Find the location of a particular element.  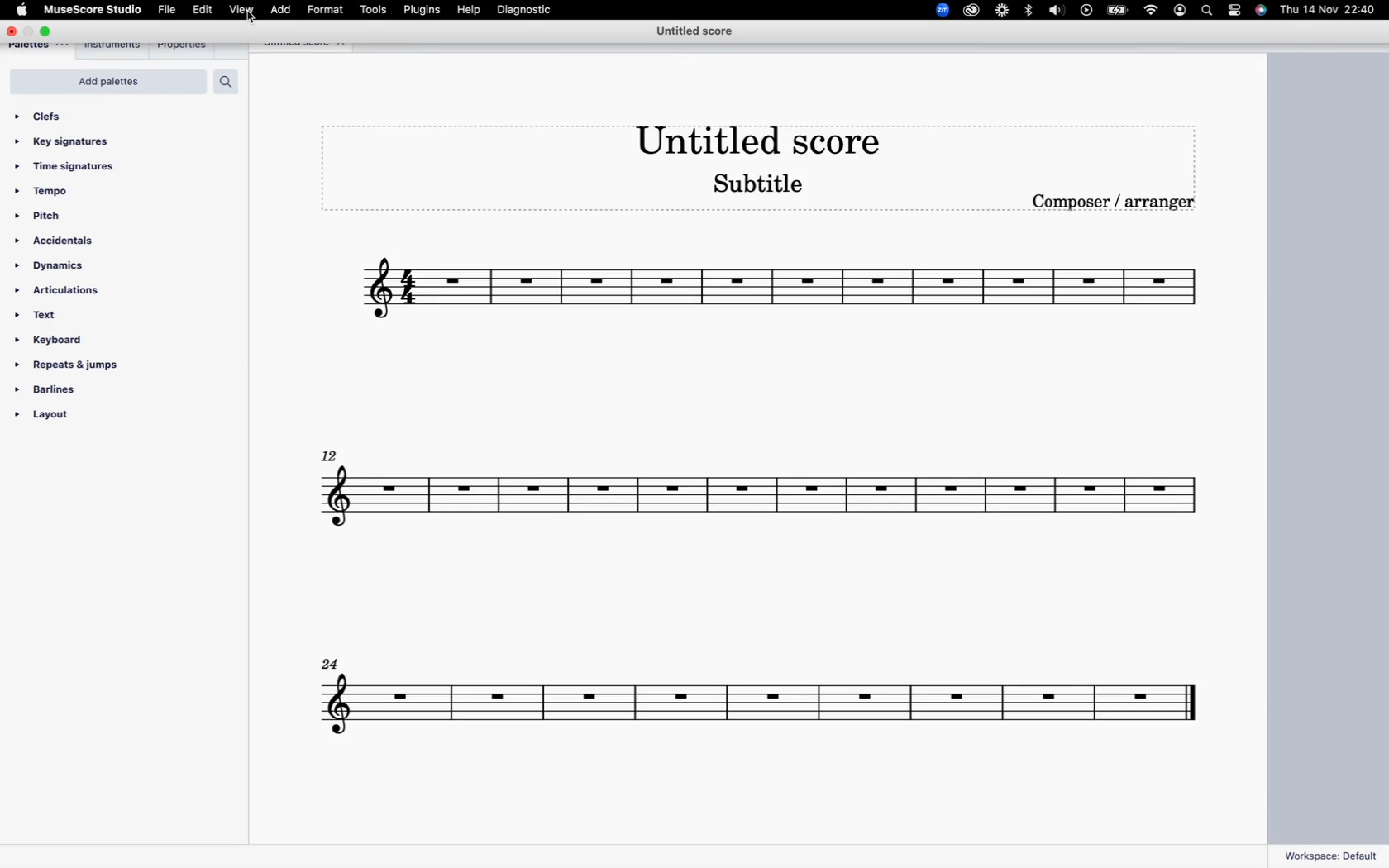

dynamics is located at coordinates (68, 265).